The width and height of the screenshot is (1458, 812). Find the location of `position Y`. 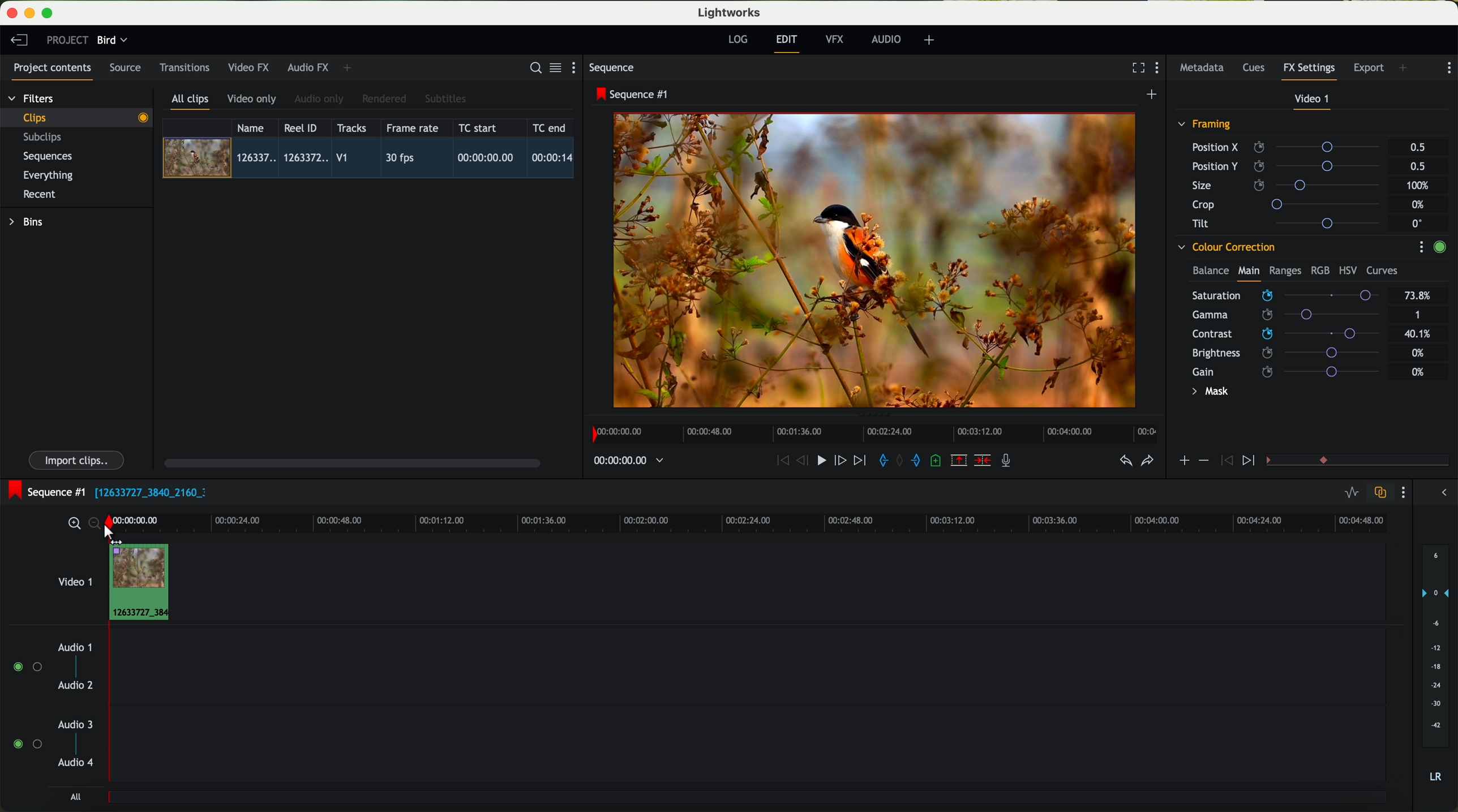

position Y is located at coordinates (1290, 166).